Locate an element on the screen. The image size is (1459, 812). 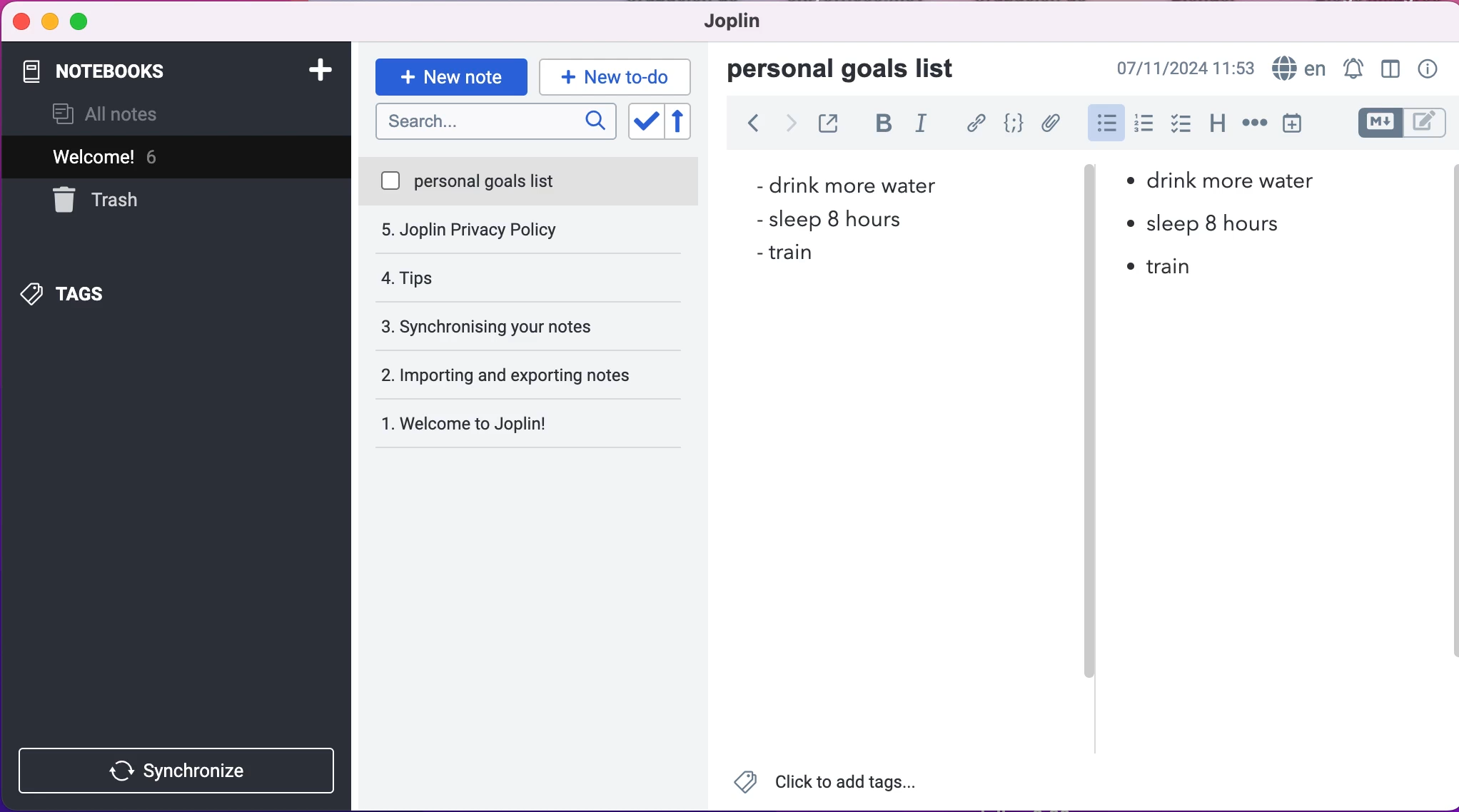
trash is located at coordinates (131, 200).